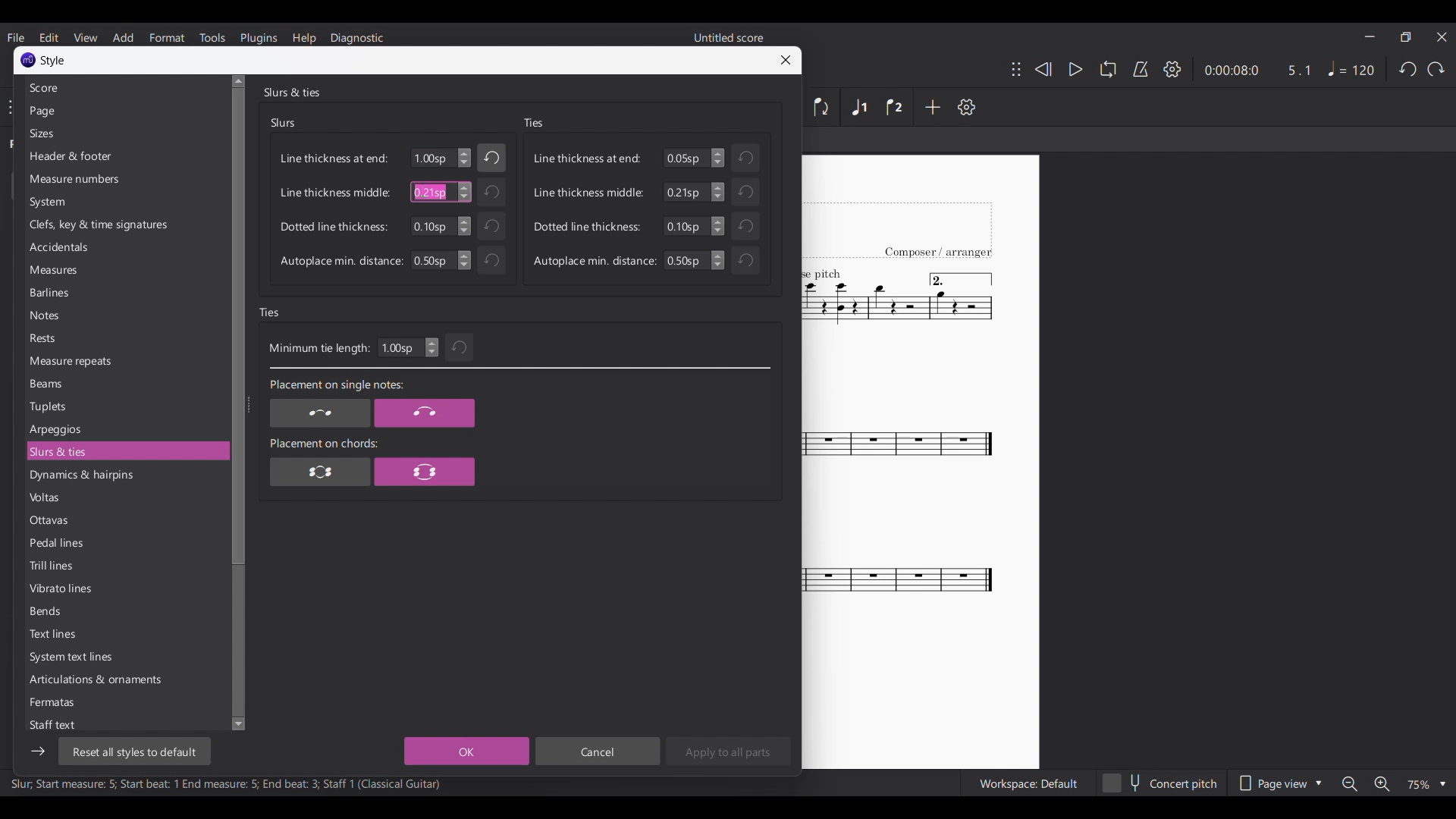 This screenshot has height=819, width=1456. I want to click on Help menu, so click(304, 38).